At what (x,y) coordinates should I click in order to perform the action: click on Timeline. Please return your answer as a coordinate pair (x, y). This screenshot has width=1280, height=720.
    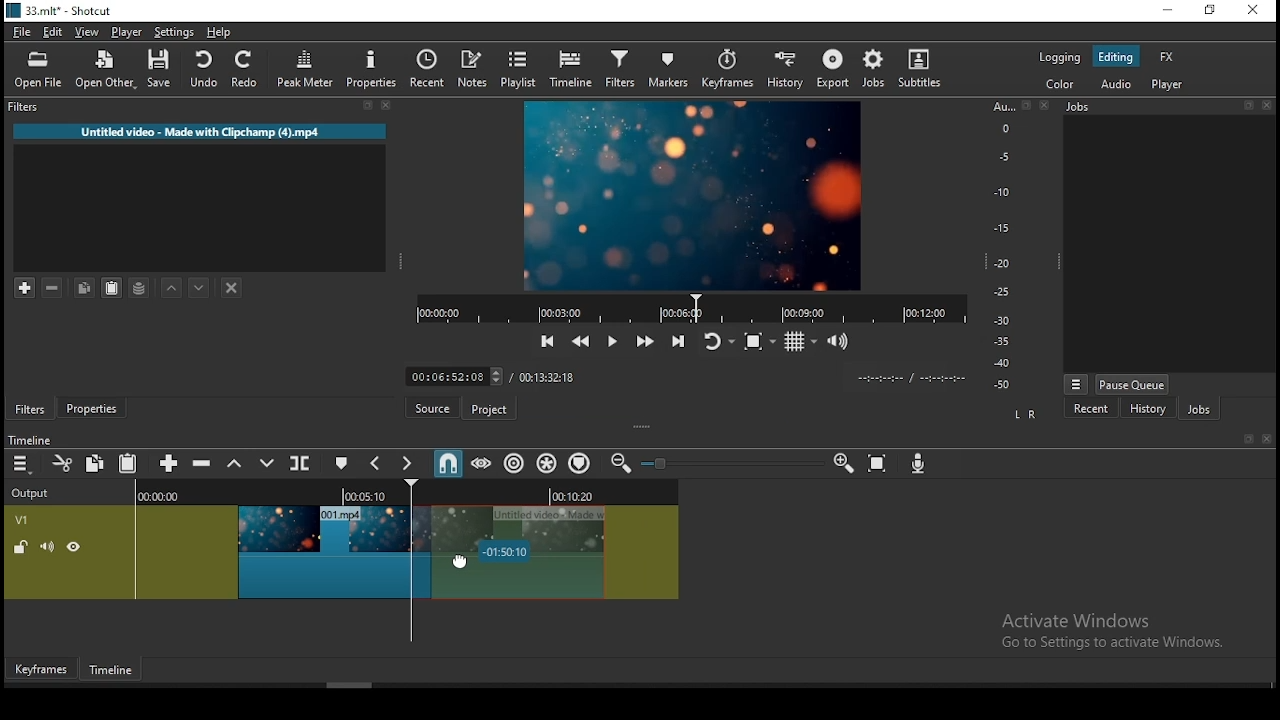
    Looking at the image, I should click on (114, 666).